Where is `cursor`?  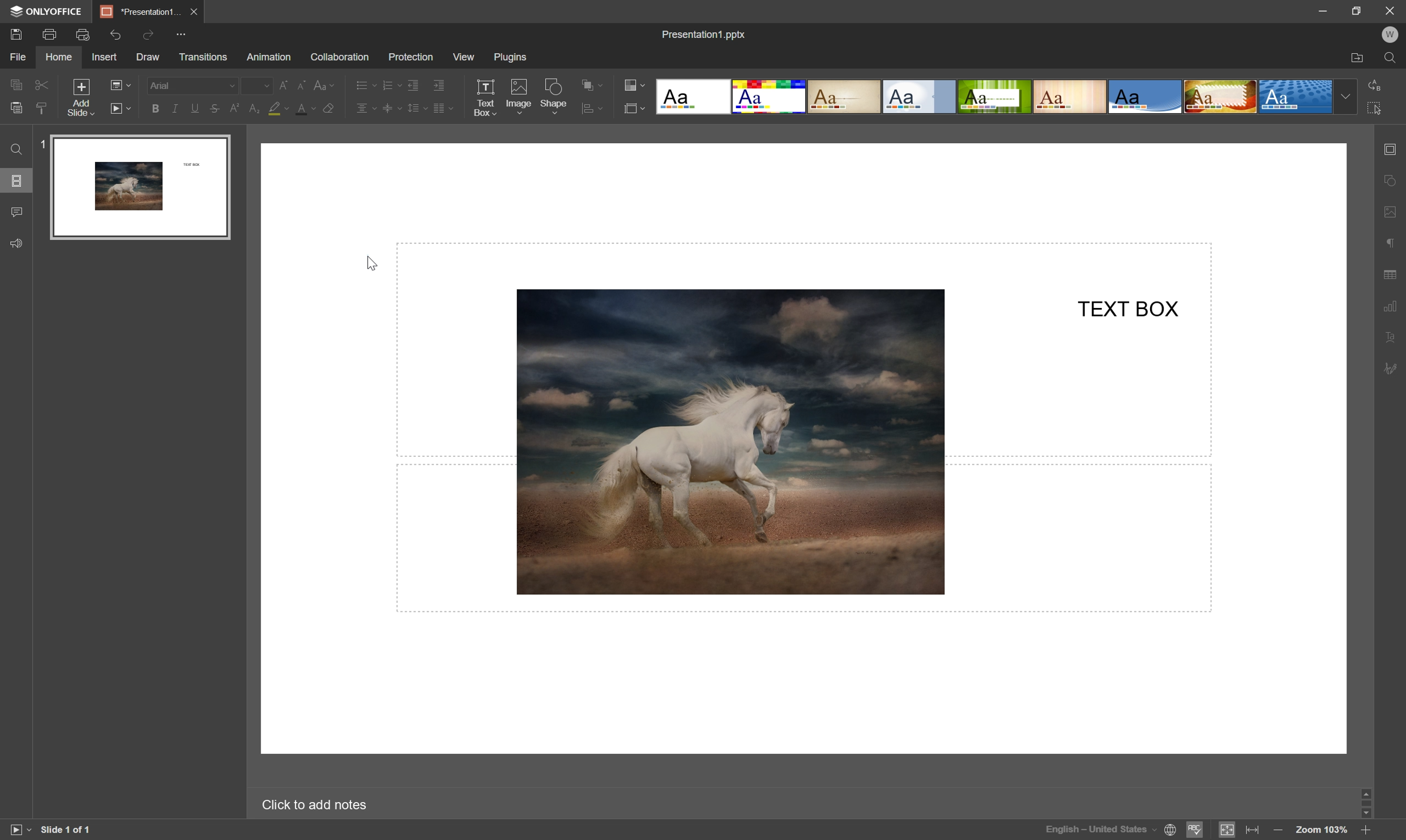
cursor is located at coordinates (371, 262).